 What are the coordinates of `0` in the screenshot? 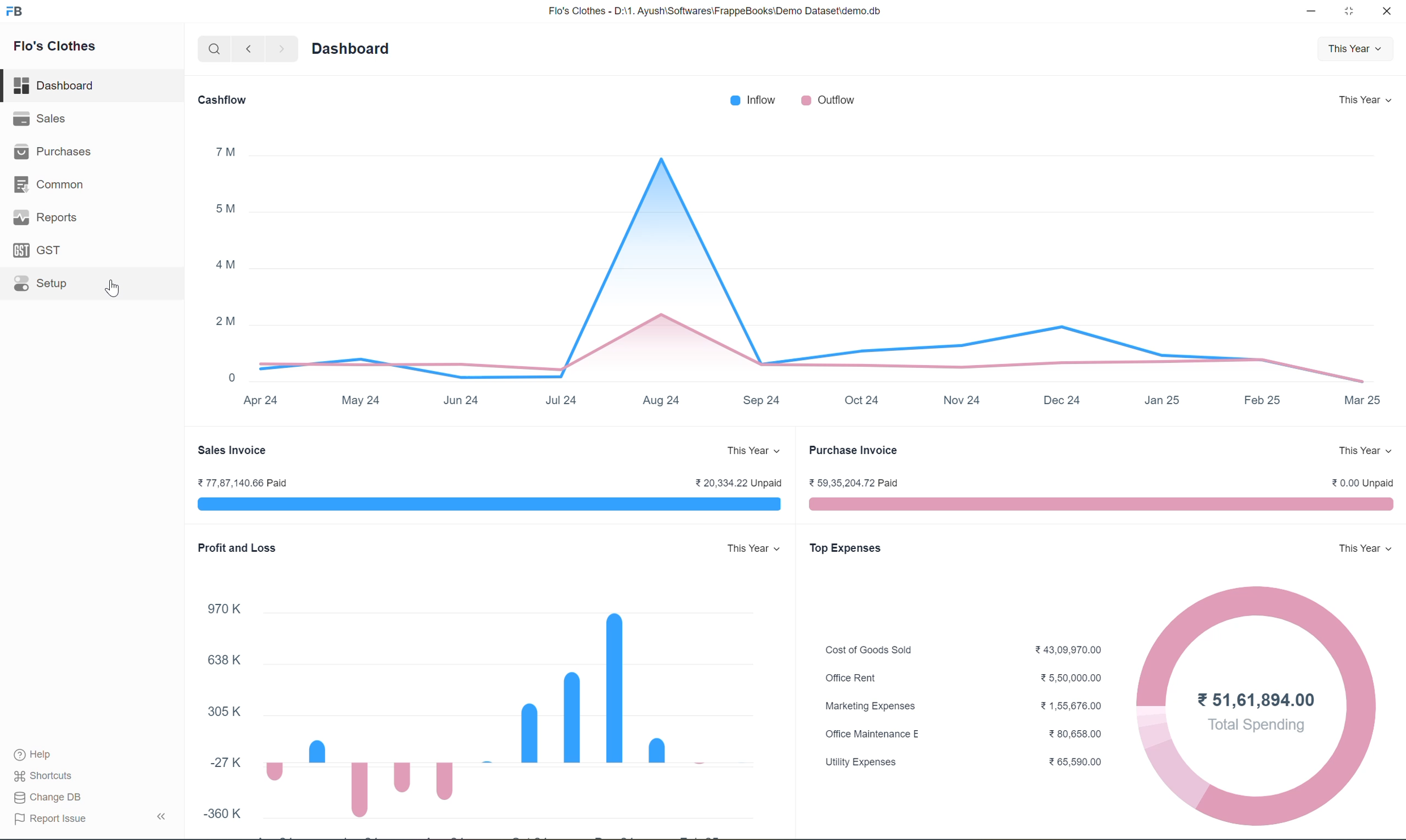 It's located at (232, 377).